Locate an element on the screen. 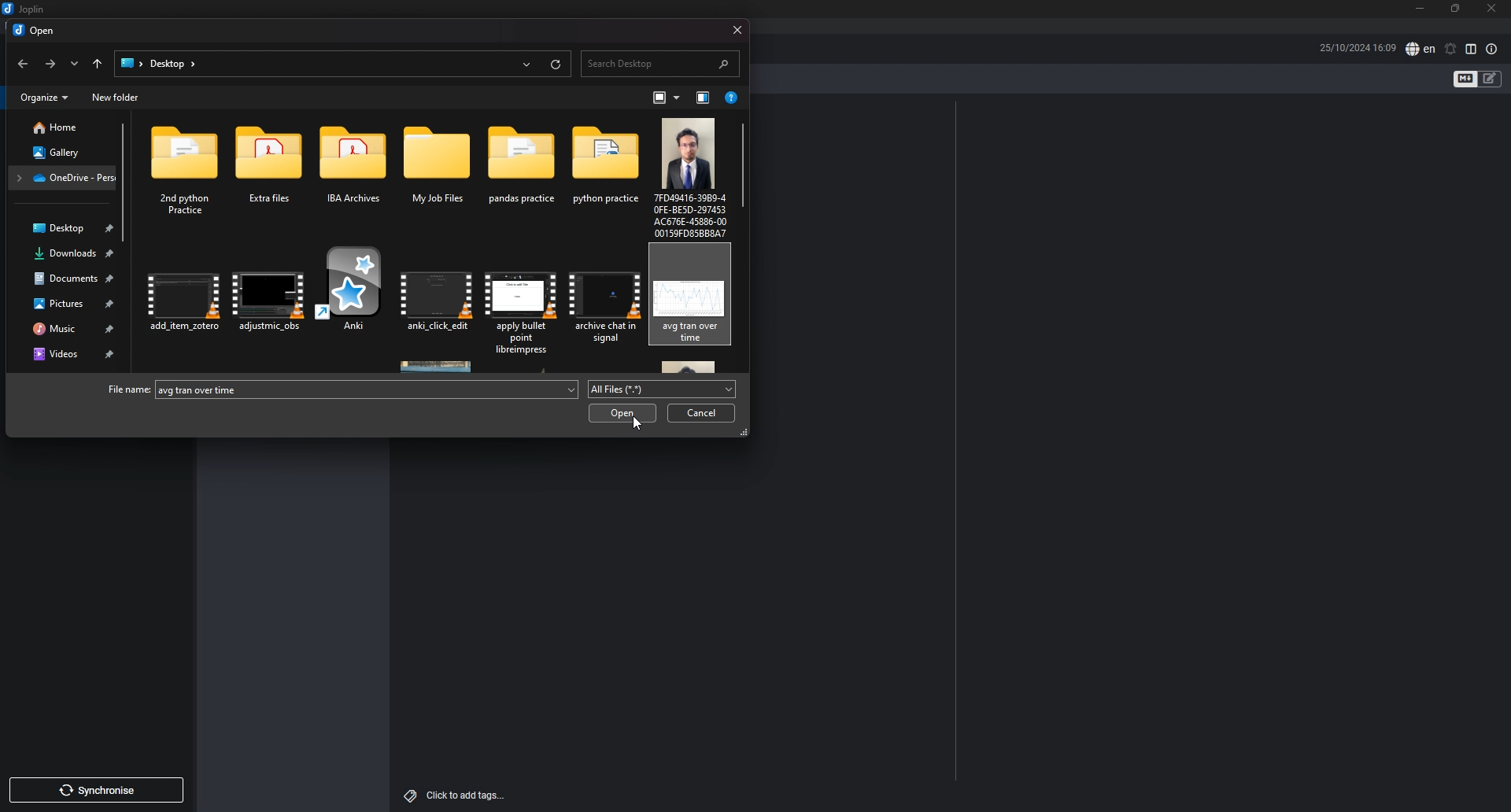 Image resolution: width=1511 pixels, height=812 pixels. gallery is located at coordinates (60, 150).